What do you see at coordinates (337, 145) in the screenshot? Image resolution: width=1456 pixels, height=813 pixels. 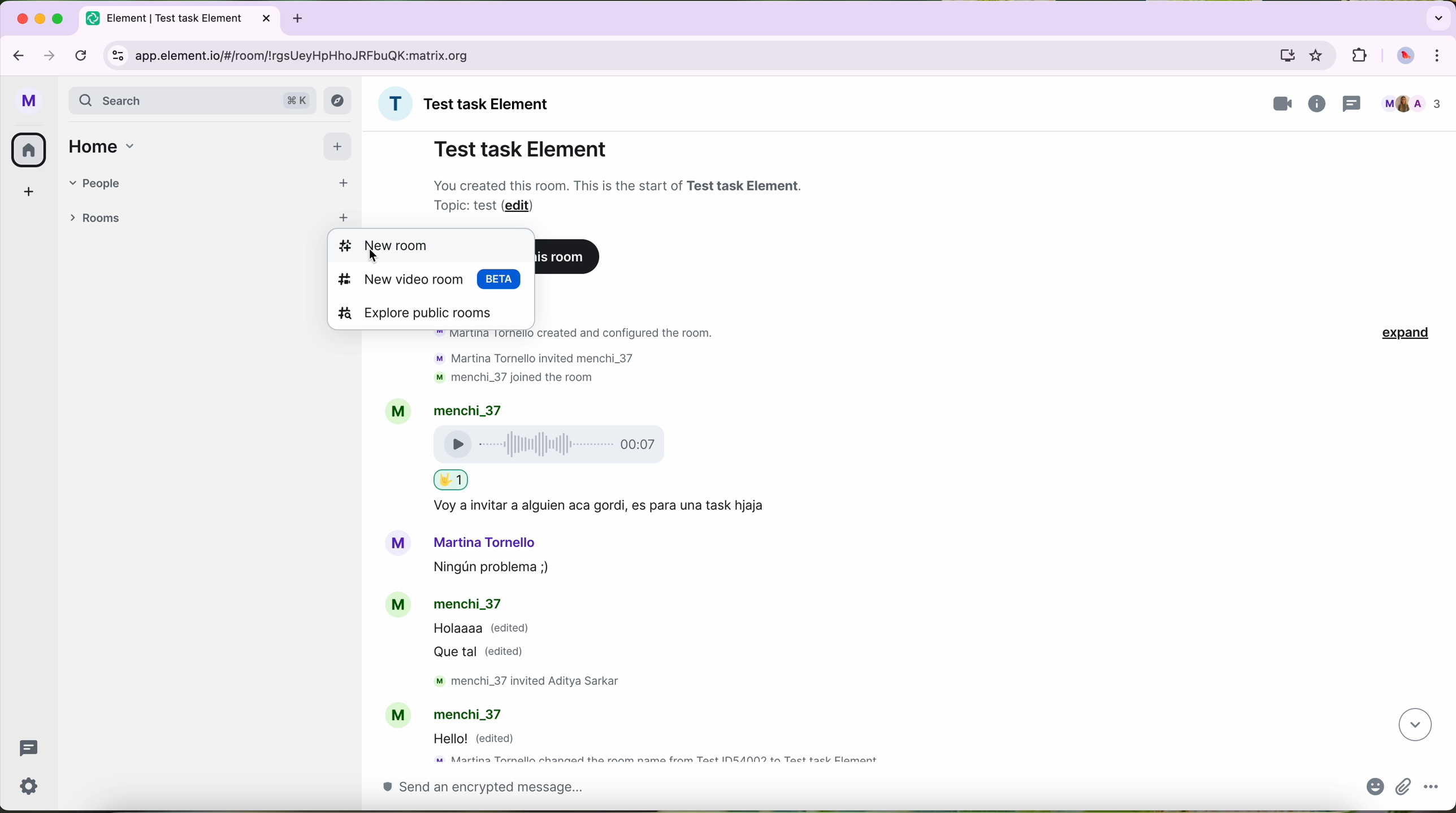 I see `add button` at bounding box center [337, 145].